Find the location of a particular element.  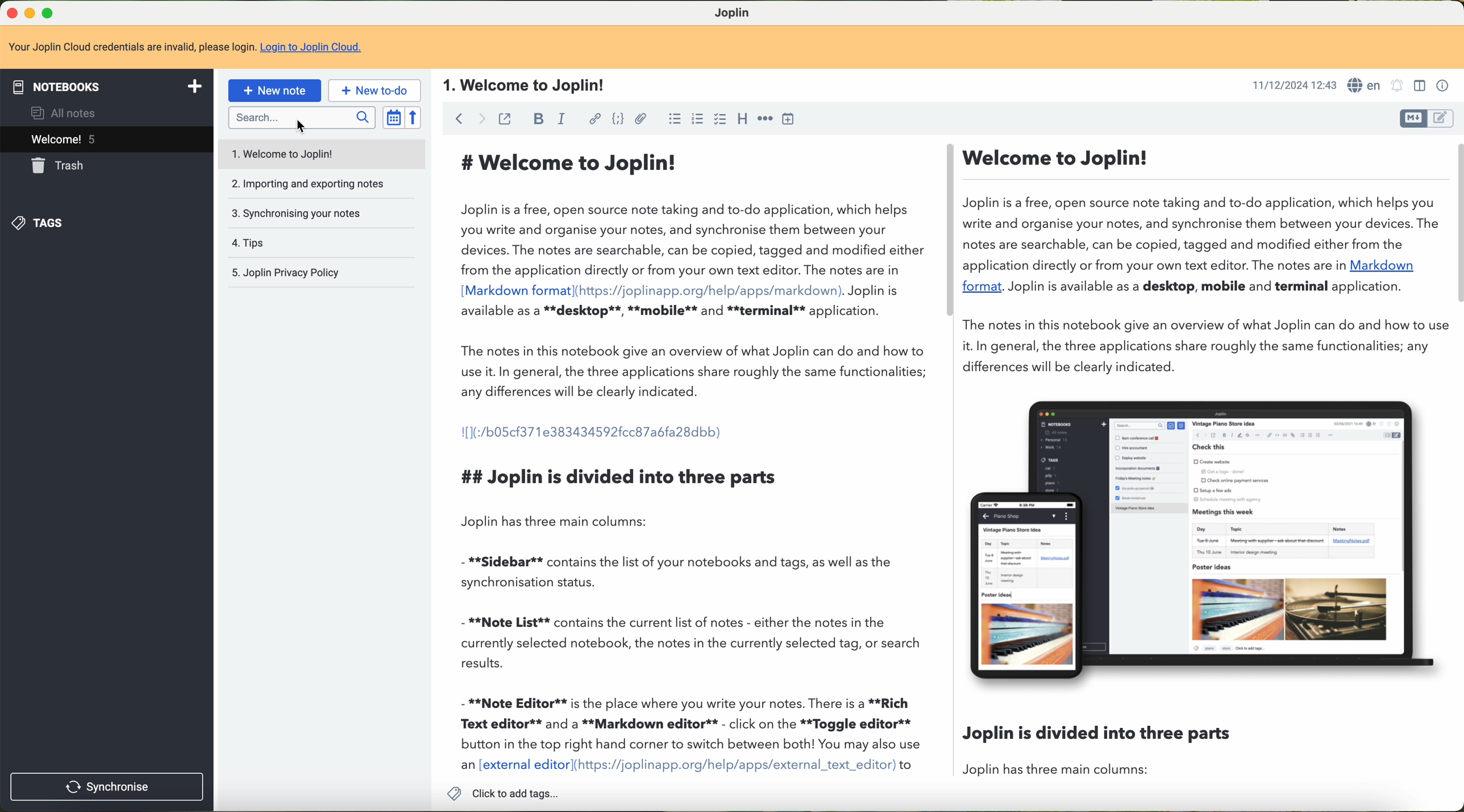

numbered list is located at coordinates (672, 118).